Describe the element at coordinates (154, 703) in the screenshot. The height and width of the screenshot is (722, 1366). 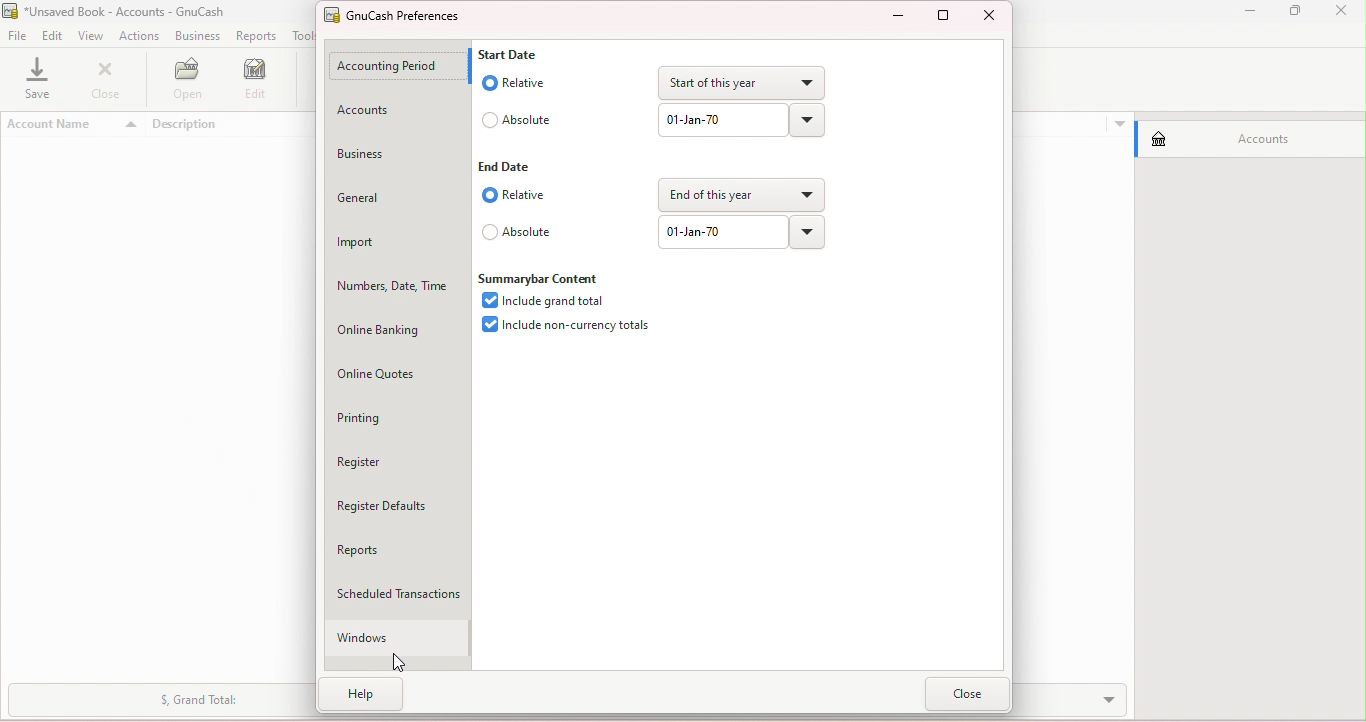
I see `Summary bar drop down` at that location.